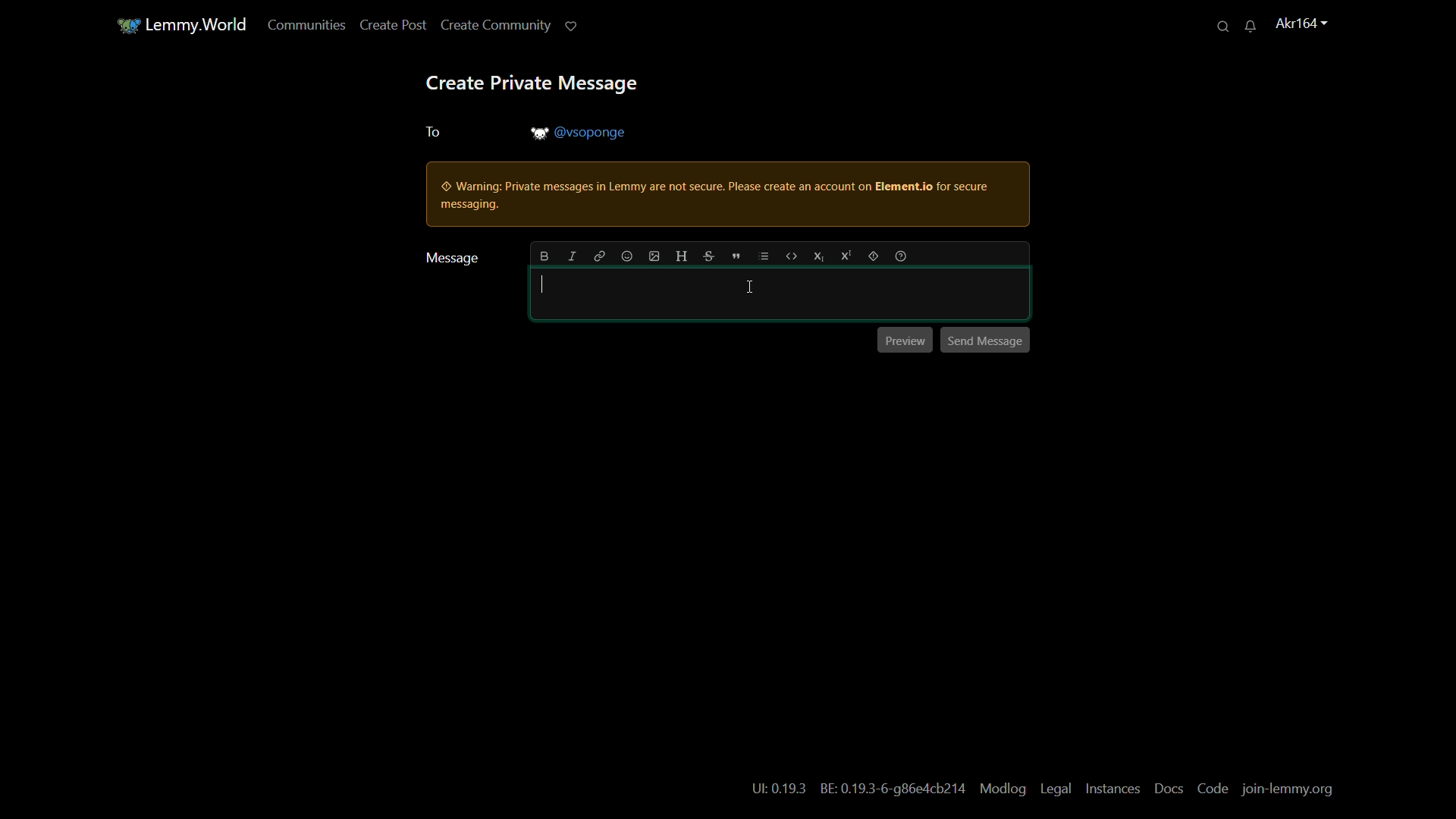 Image resolution: width=1456 pixels, height=819 pixels. I want to click on message bar, so click(629, 297).